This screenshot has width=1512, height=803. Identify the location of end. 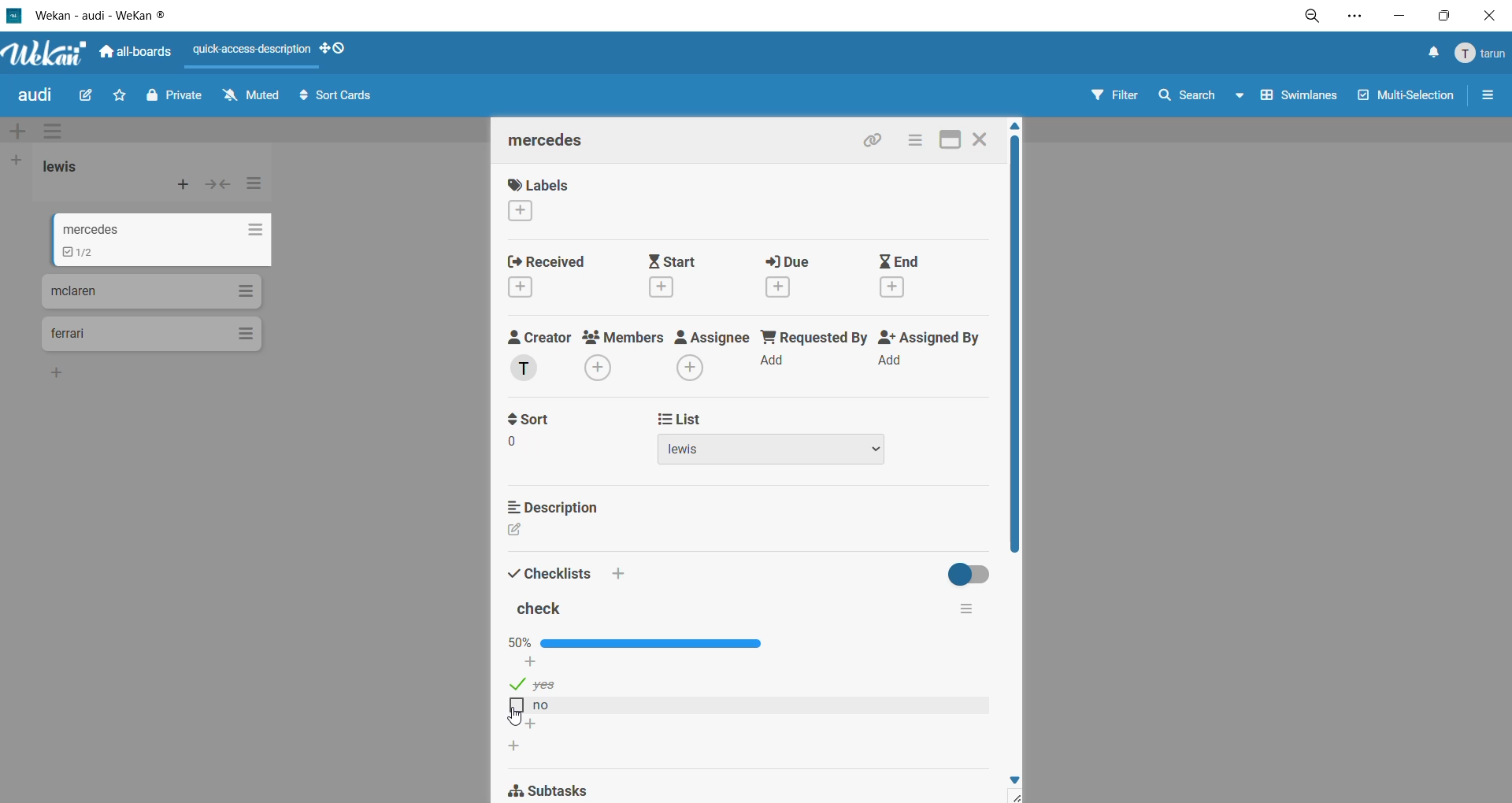
(903, 275).